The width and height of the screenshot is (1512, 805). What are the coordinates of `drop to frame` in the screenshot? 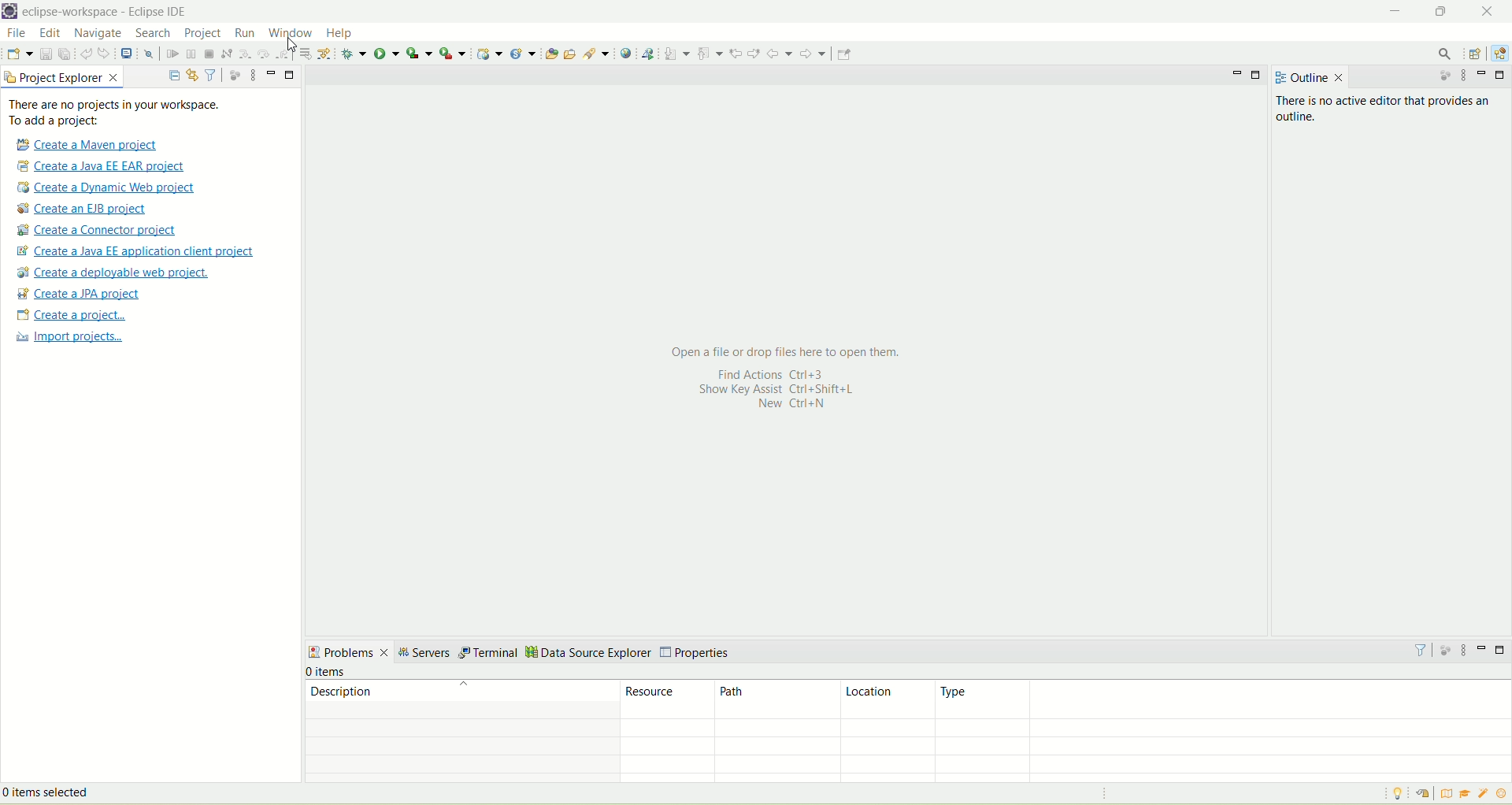 It's located at (304, 54).